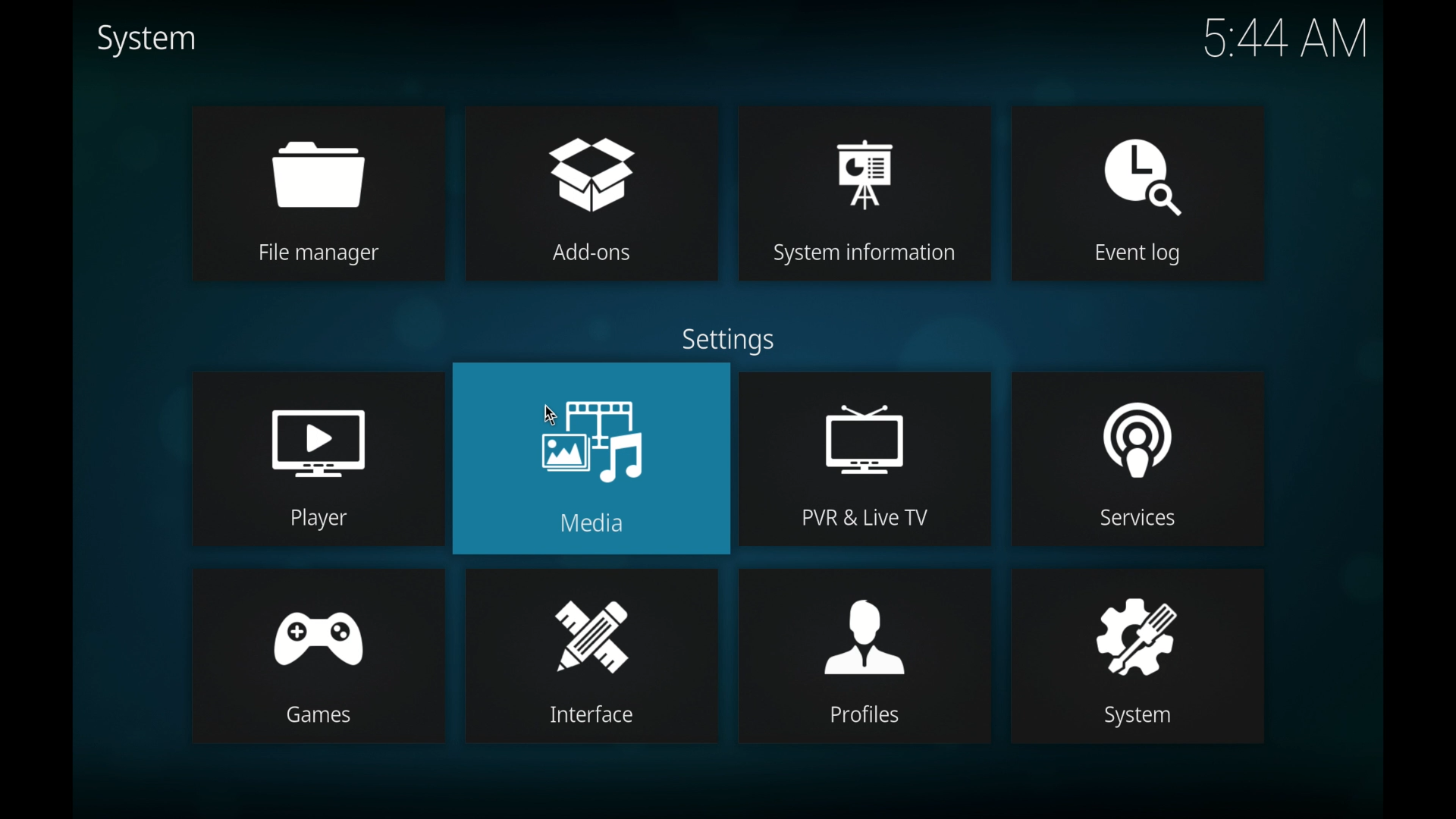  I want to click on file manager, so click(318, 196).